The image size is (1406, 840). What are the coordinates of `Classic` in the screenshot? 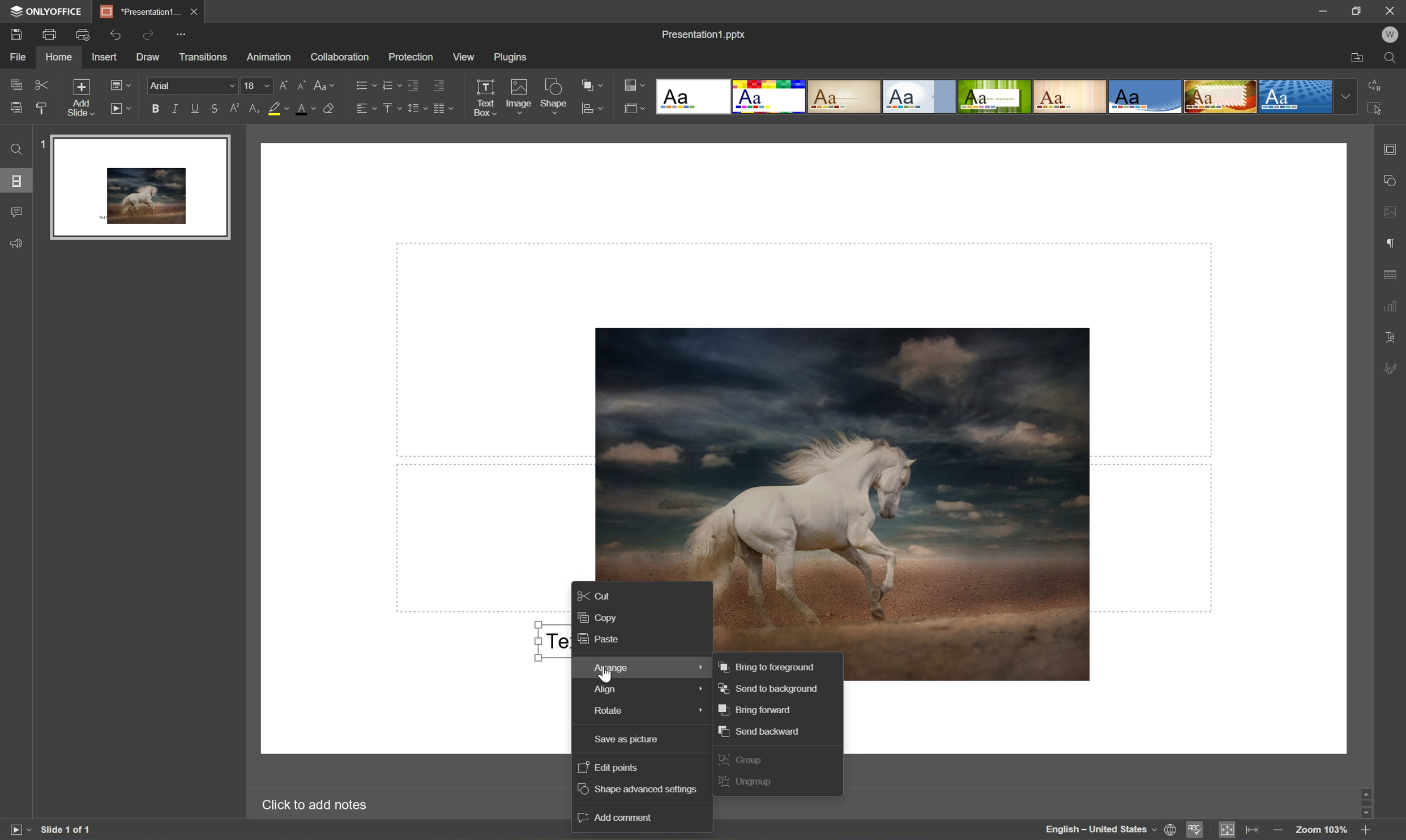 It's located at (845, 97).